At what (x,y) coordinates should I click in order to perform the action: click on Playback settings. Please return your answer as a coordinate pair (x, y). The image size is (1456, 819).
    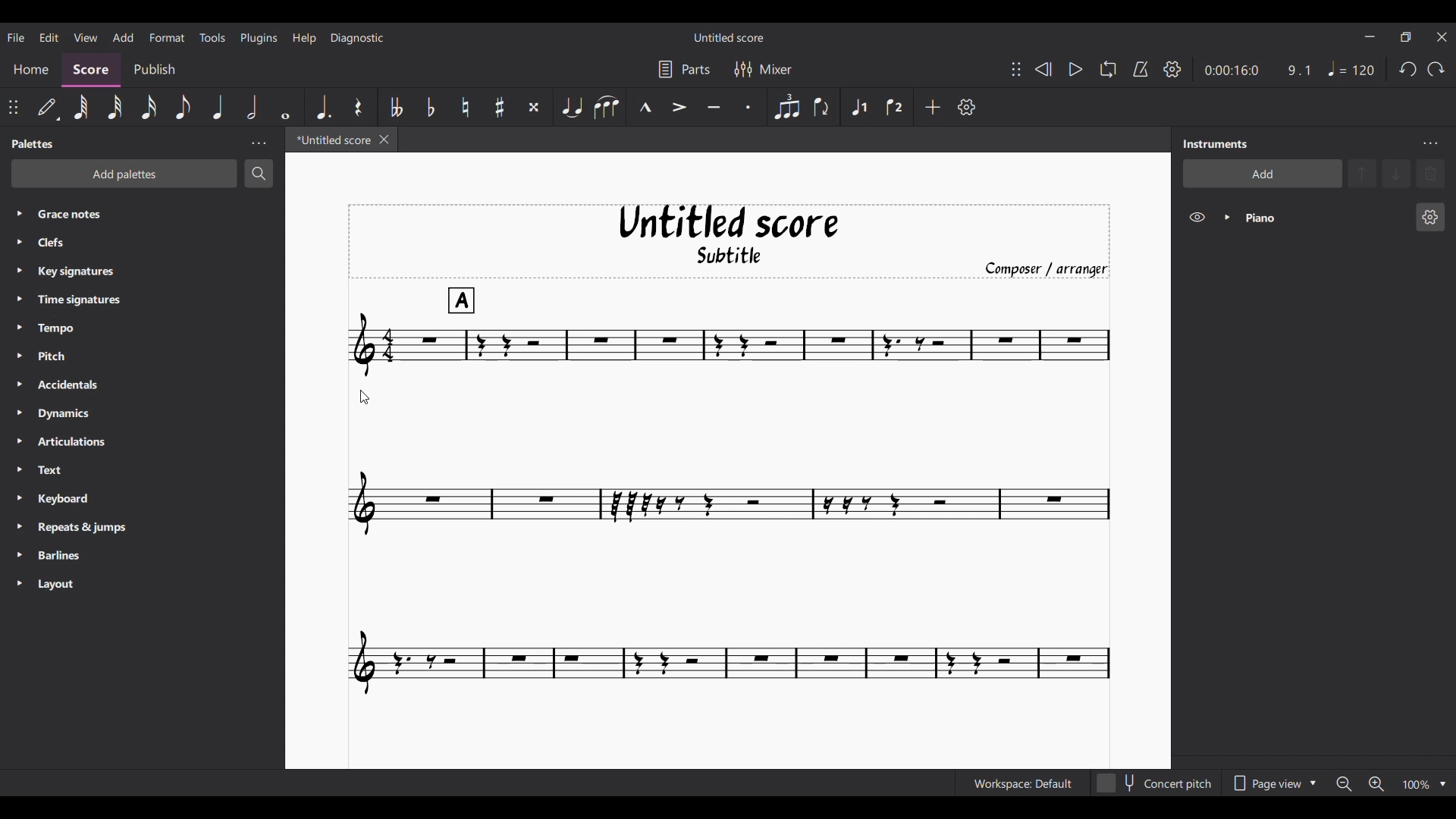
    Looking at the image, I should click on (1172, 68).